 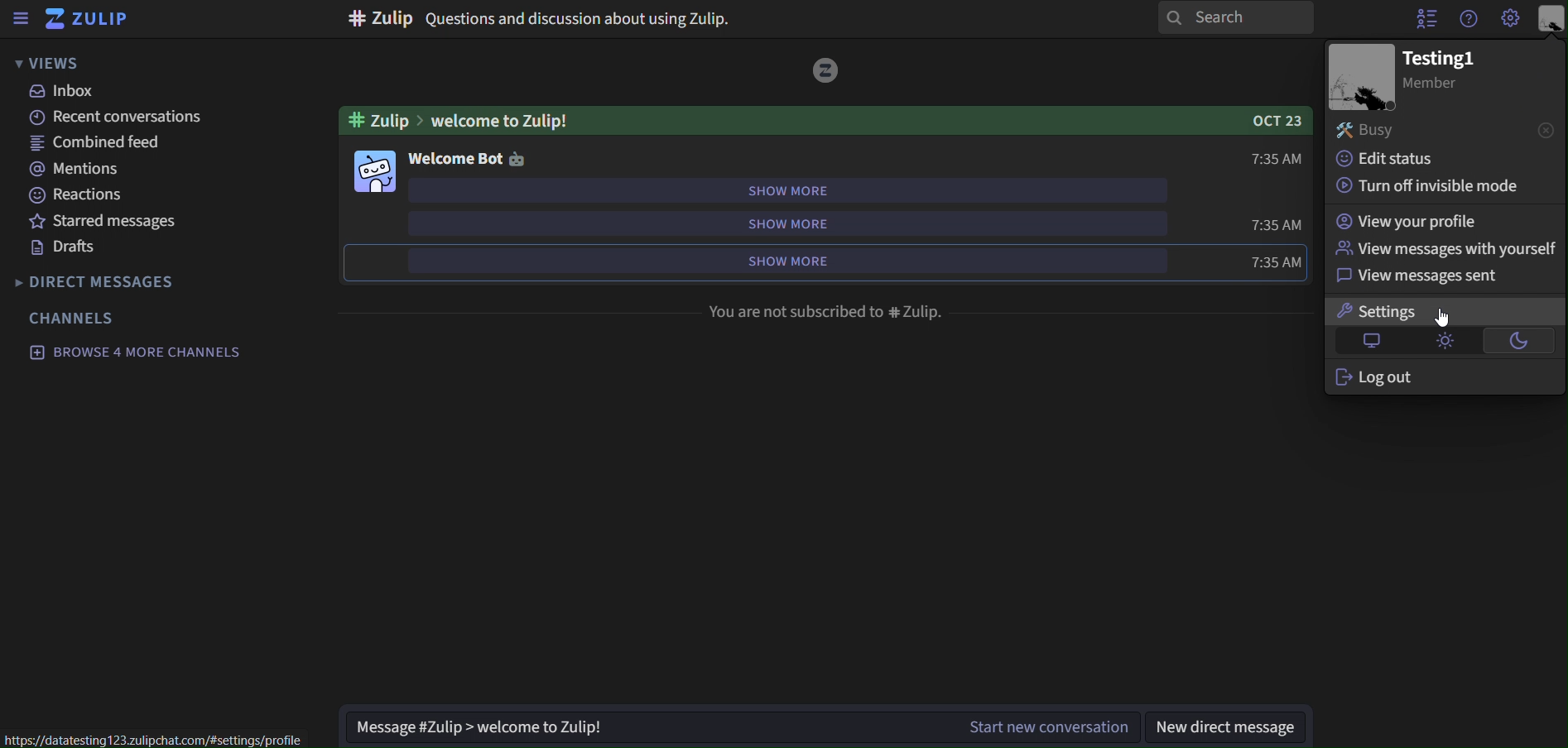 I want to click on Cursor, so click(x=1443, y=317).